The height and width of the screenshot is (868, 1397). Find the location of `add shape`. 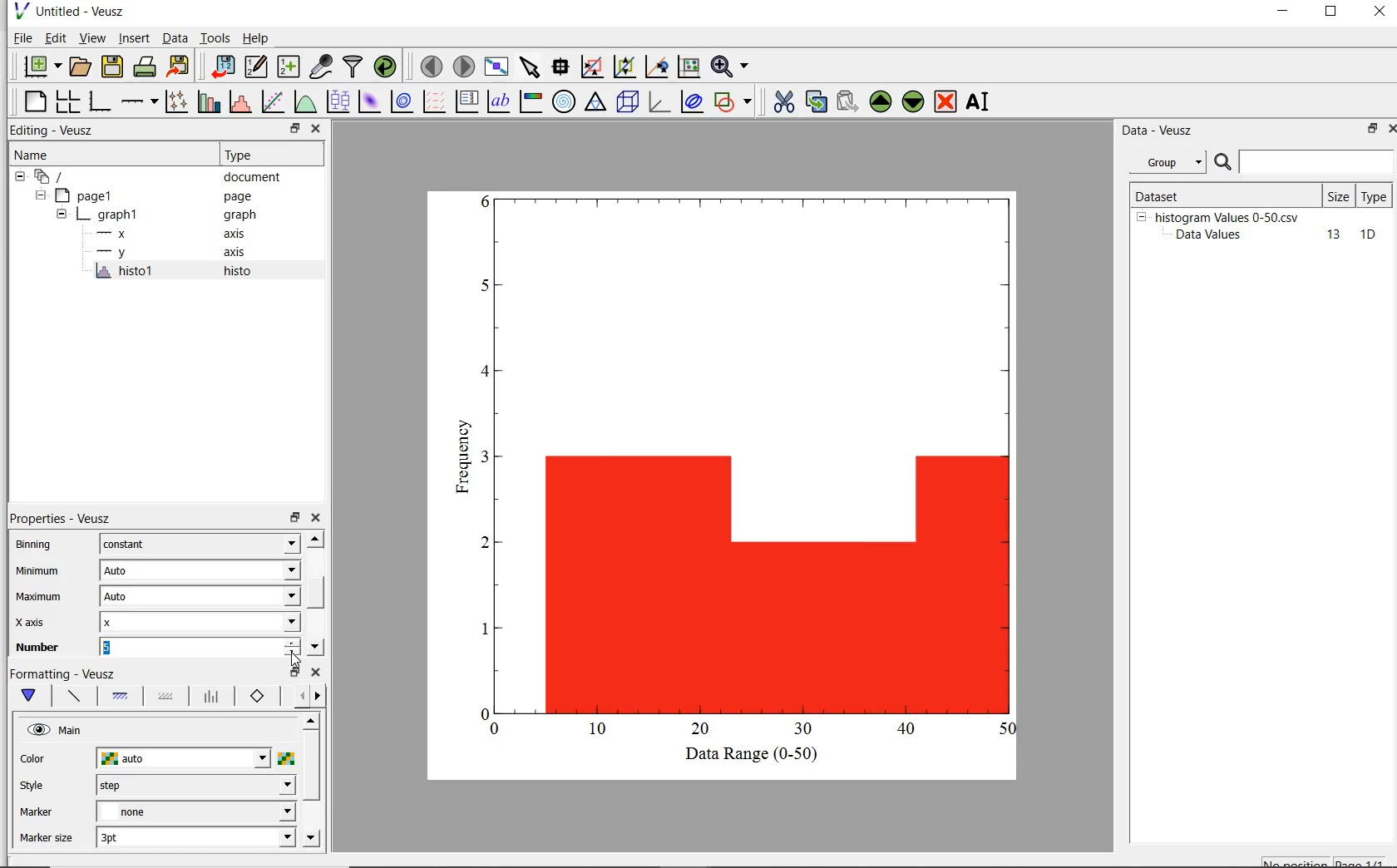

add shape is located at coordinates (733, 103).